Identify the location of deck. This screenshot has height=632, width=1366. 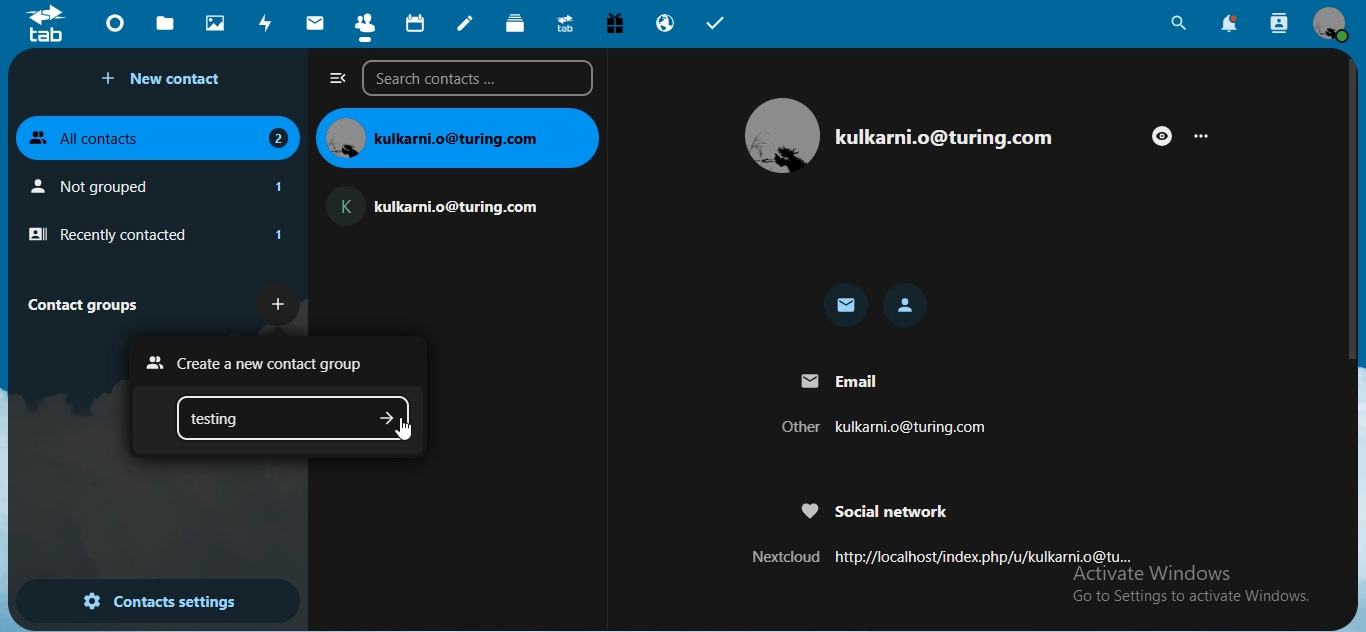
(517, 23).